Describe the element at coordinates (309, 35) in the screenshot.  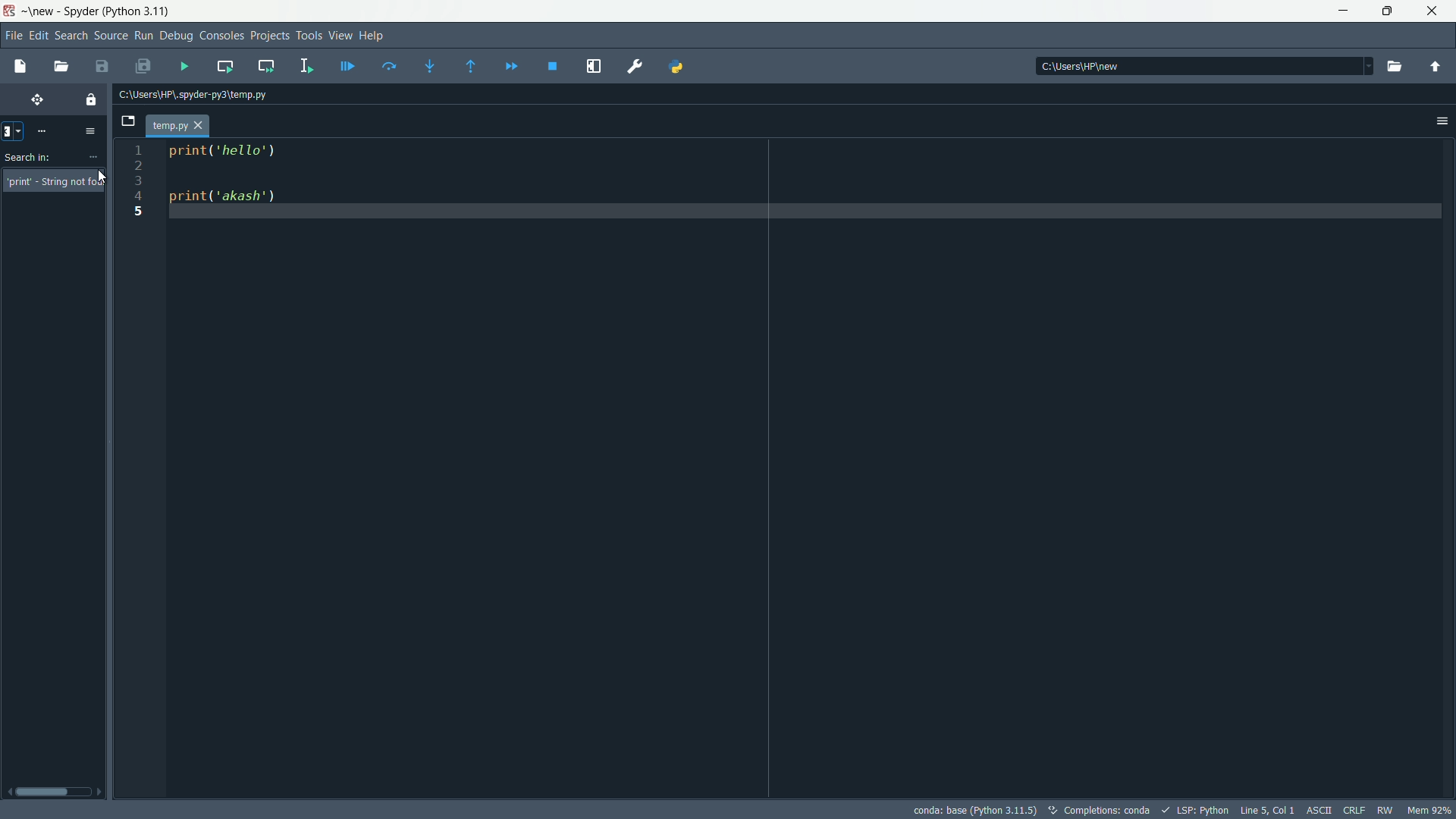
I see `Tools Menu` at that location.